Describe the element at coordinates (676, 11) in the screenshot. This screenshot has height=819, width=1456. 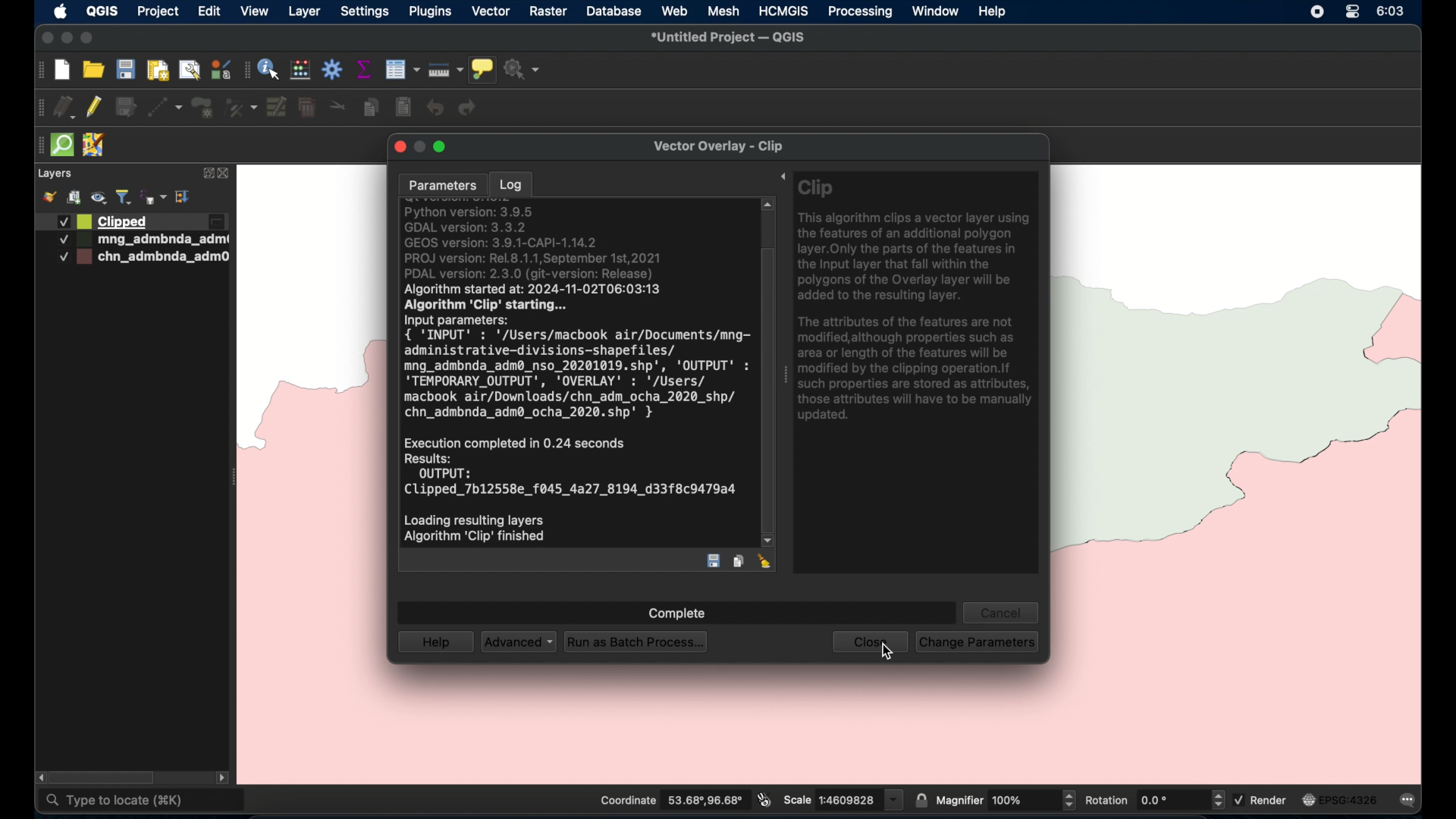
I see `web` at that location.